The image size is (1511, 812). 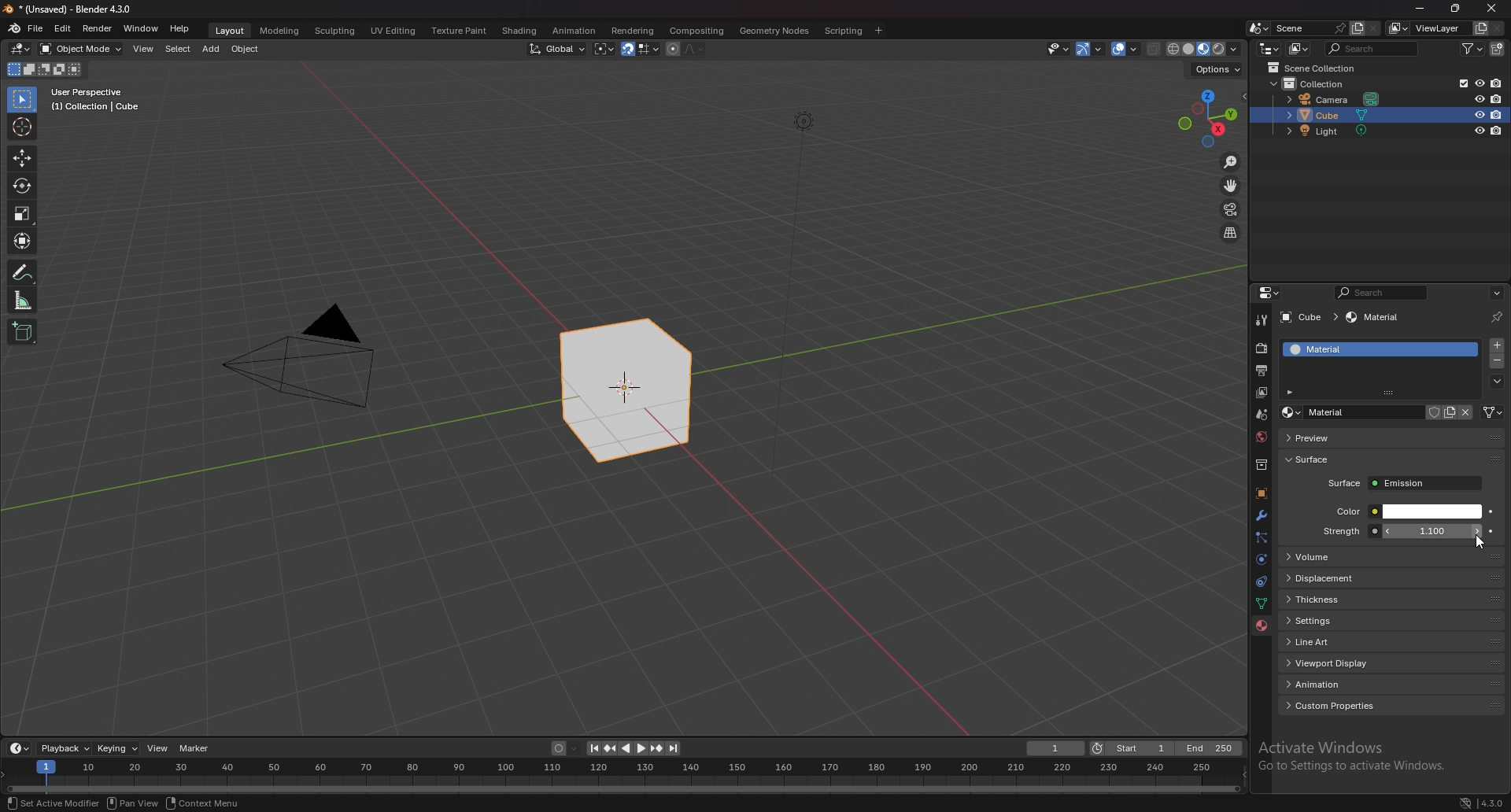 I want to click on auto keying, so click(x=564, y=749).